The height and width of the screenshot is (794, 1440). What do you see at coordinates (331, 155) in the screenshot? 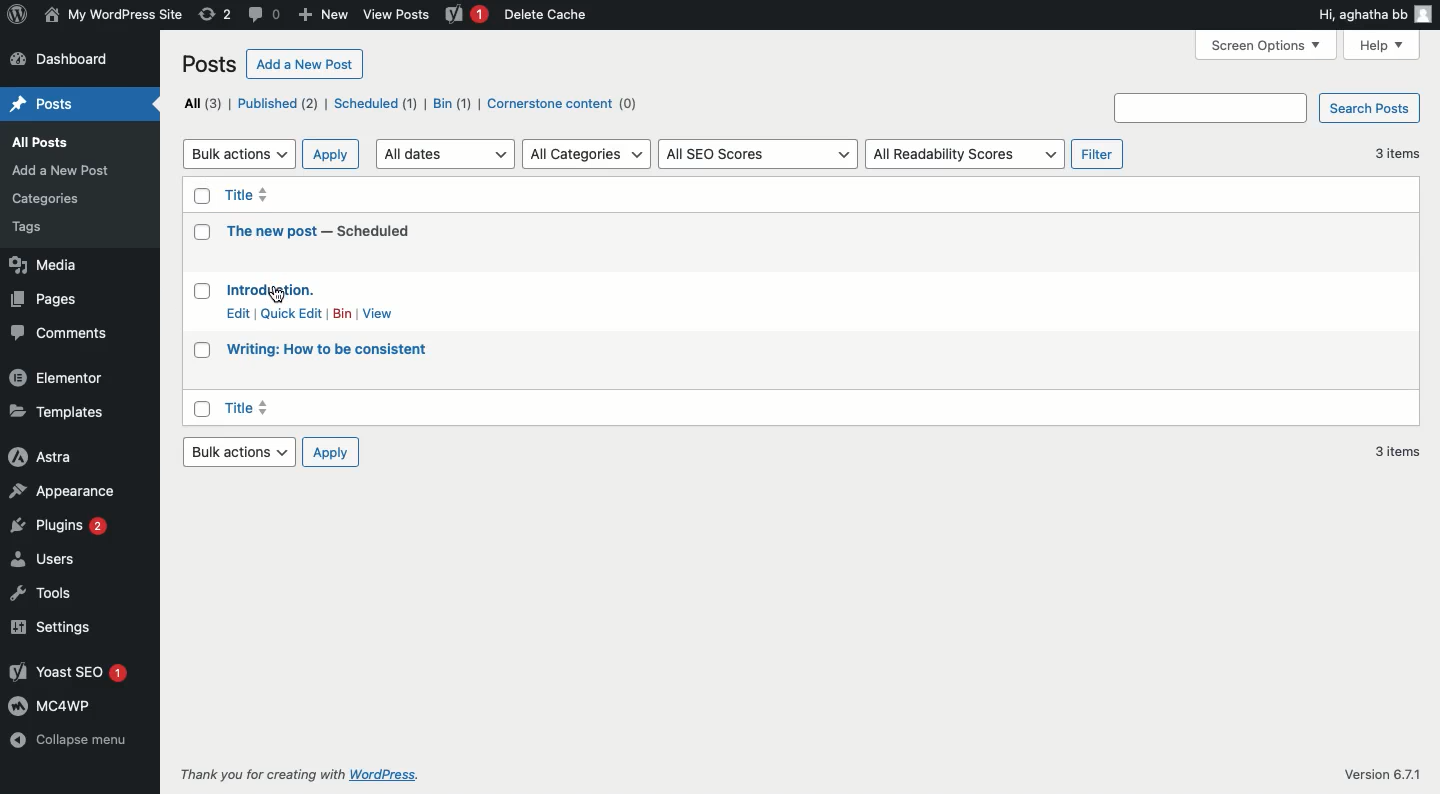
I see `Apply` at bounding box center [331, 155].